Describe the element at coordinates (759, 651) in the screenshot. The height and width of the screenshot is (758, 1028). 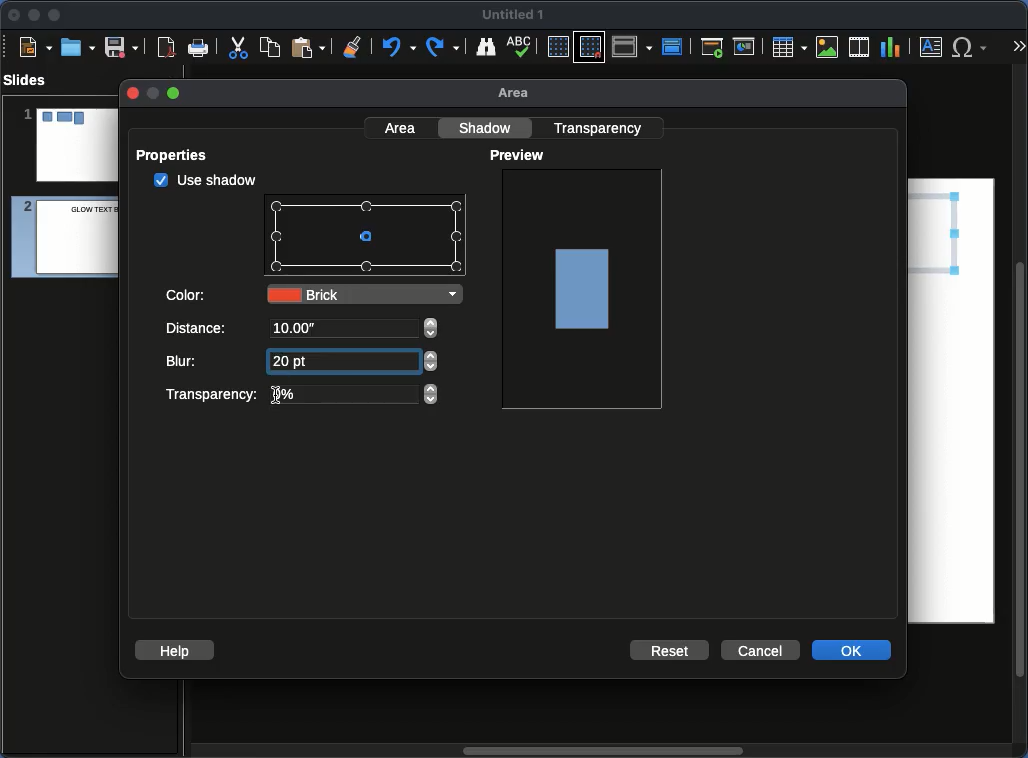
I see `Cancel` at that location.